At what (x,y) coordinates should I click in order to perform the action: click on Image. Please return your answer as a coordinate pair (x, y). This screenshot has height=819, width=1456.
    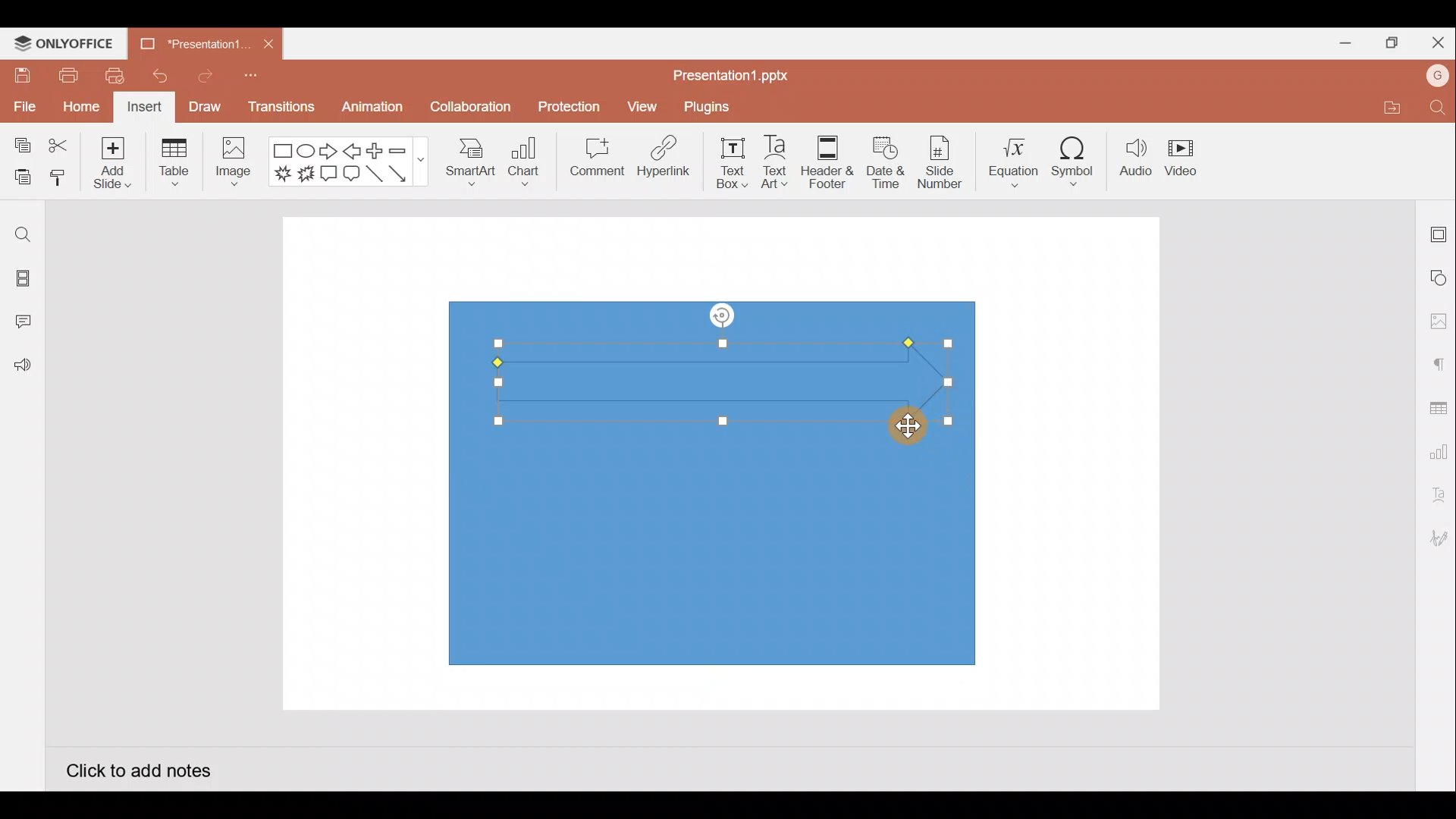
    Looking at the image, I should click on (231, 165).